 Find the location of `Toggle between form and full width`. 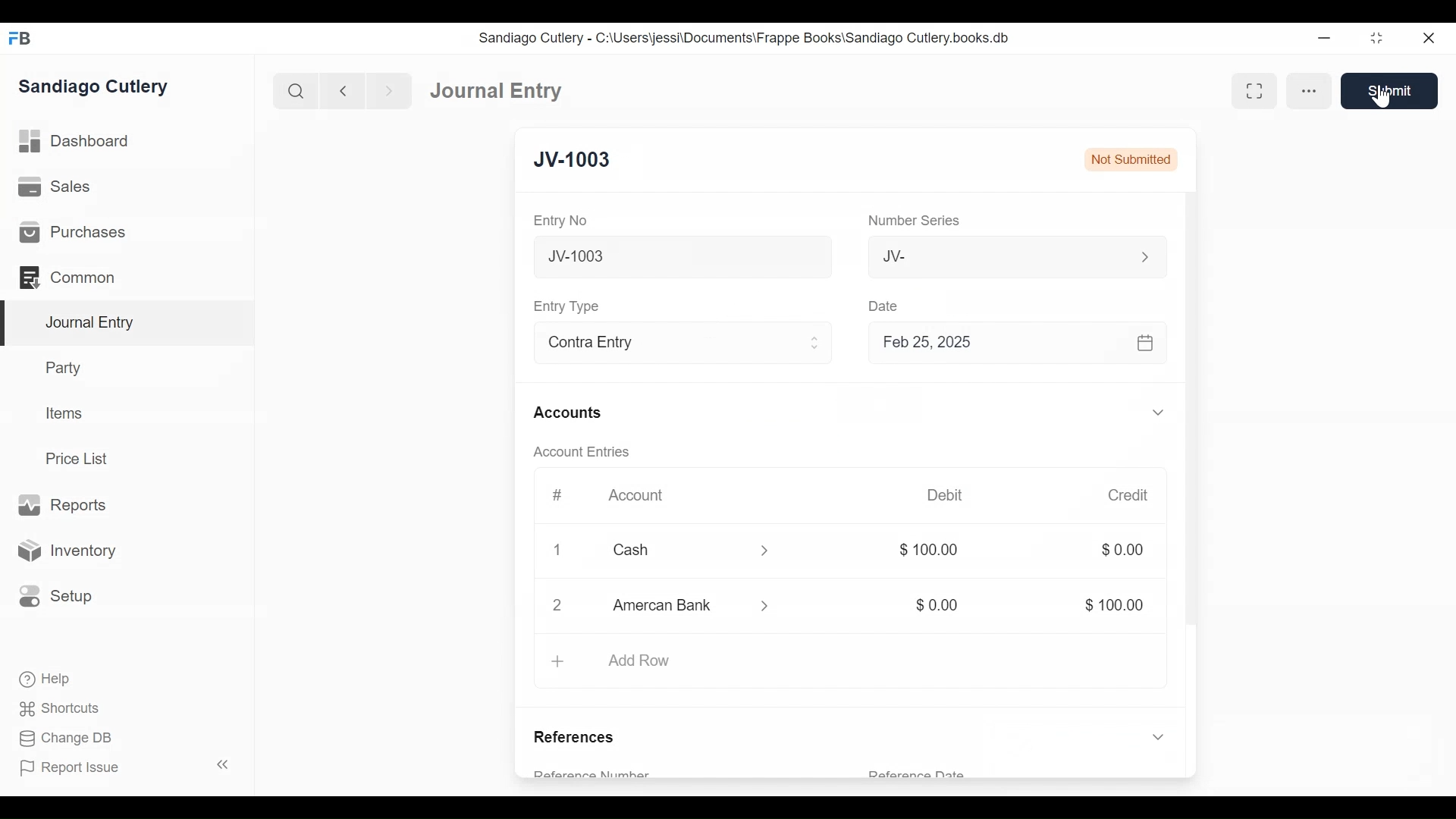

Toggle between form and full width is located at coordinates (1253, 91).